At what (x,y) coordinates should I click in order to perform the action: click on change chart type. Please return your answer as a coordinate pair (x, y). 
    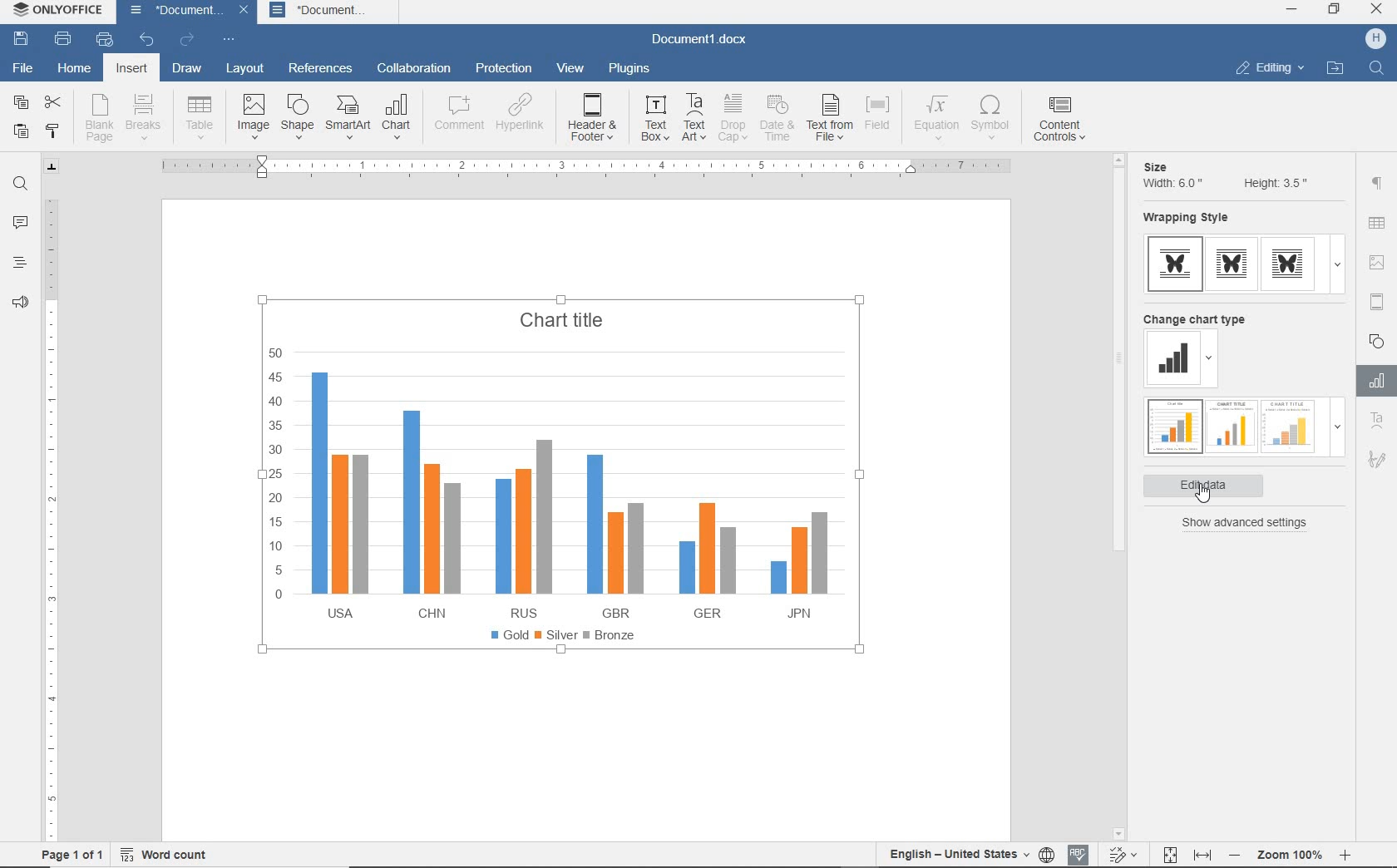
    Looking at the image, I should click on (1197, 318).